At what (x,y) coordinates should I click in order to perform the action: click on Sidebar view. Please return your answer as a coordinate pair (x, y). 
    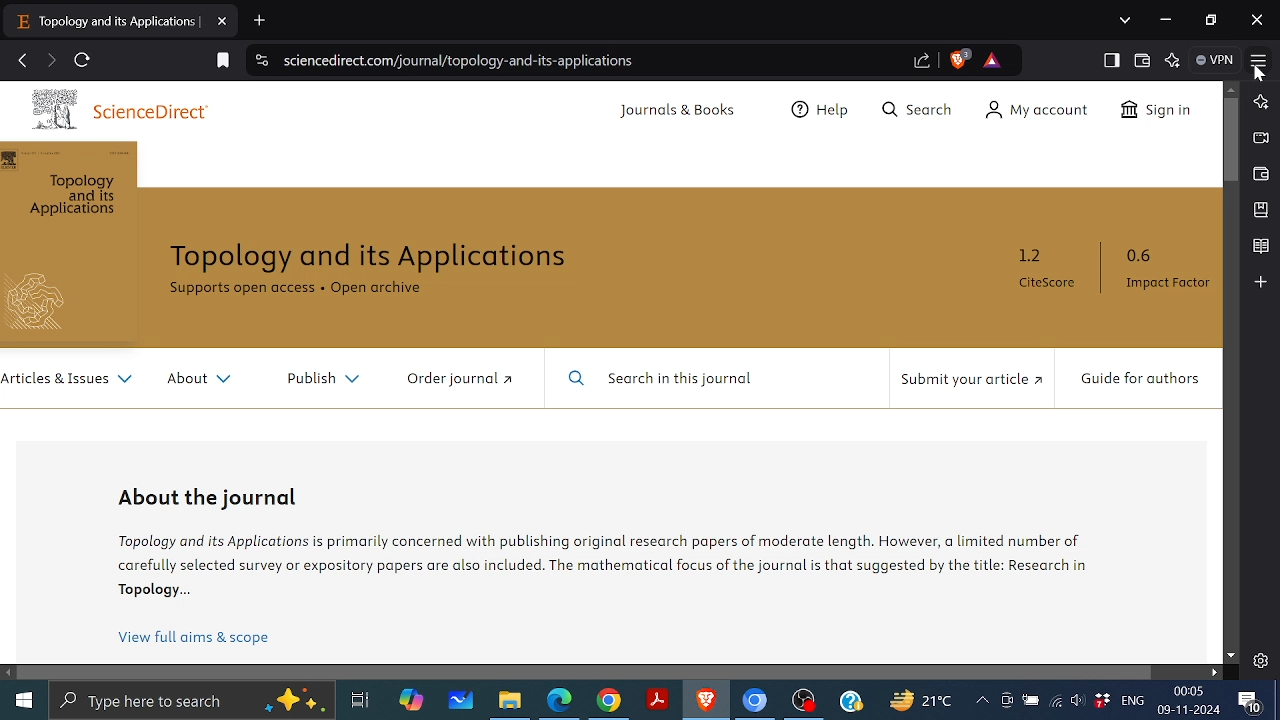
    Looking at the image, I should click on (1114, 61).